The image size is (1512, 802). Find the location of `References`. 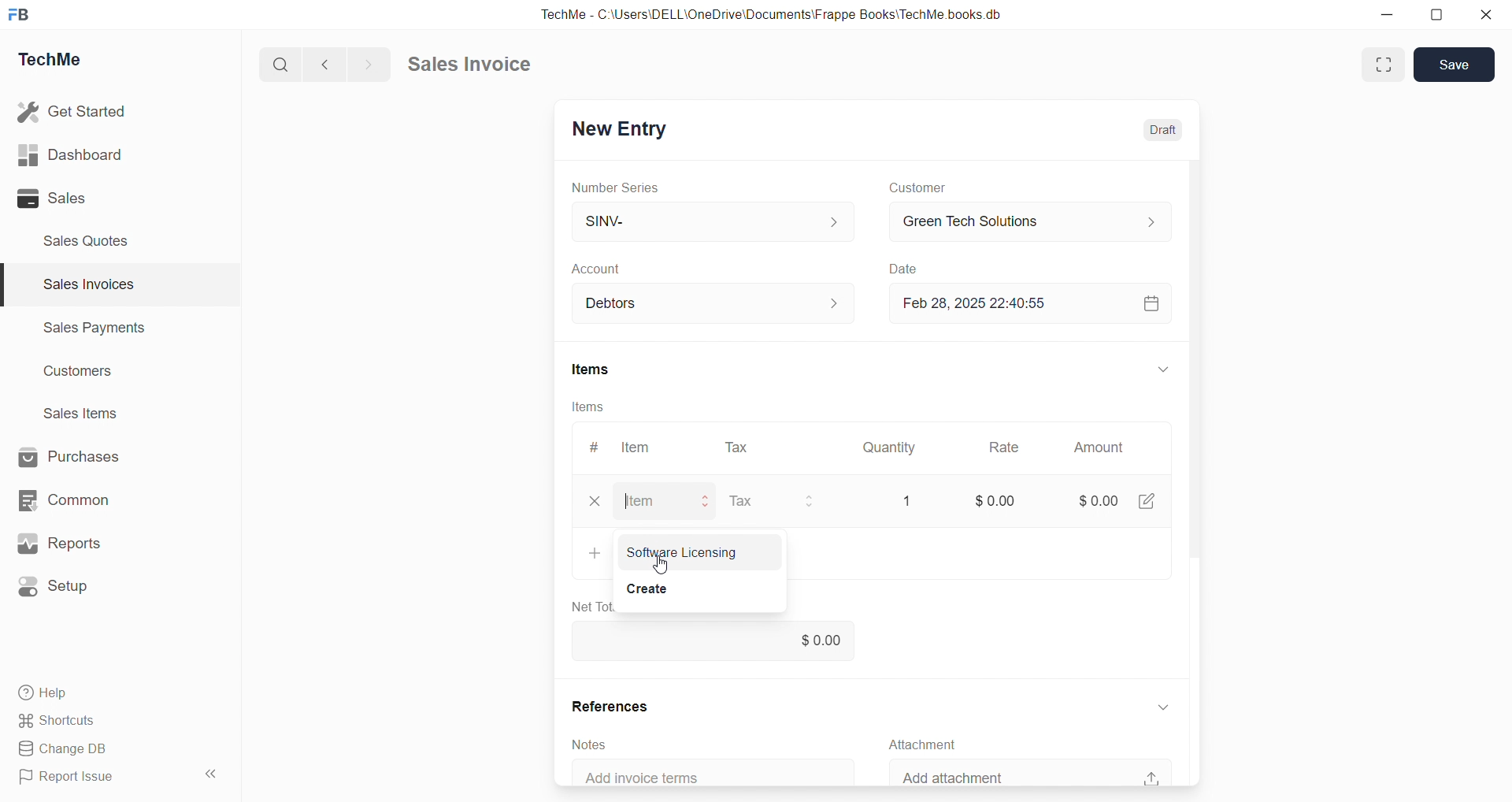

References is located at coordinates (612, 706).